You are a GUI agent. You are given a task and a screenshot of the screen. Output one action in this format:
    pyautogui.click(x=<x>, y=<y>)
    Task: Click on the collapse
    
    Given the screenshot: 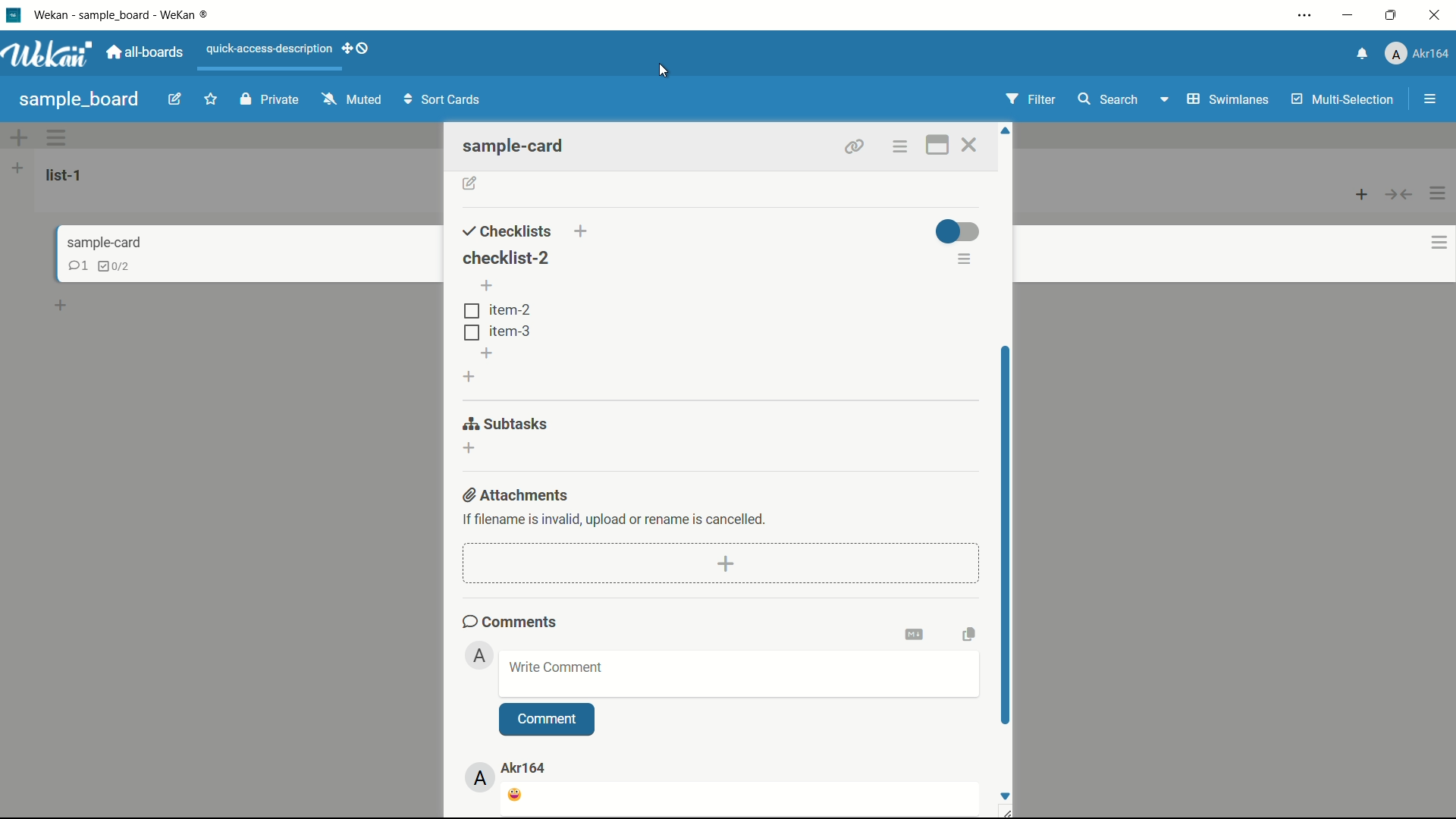 What is the action you would take?
    pyautogui.click(x=1400, y=196)
    